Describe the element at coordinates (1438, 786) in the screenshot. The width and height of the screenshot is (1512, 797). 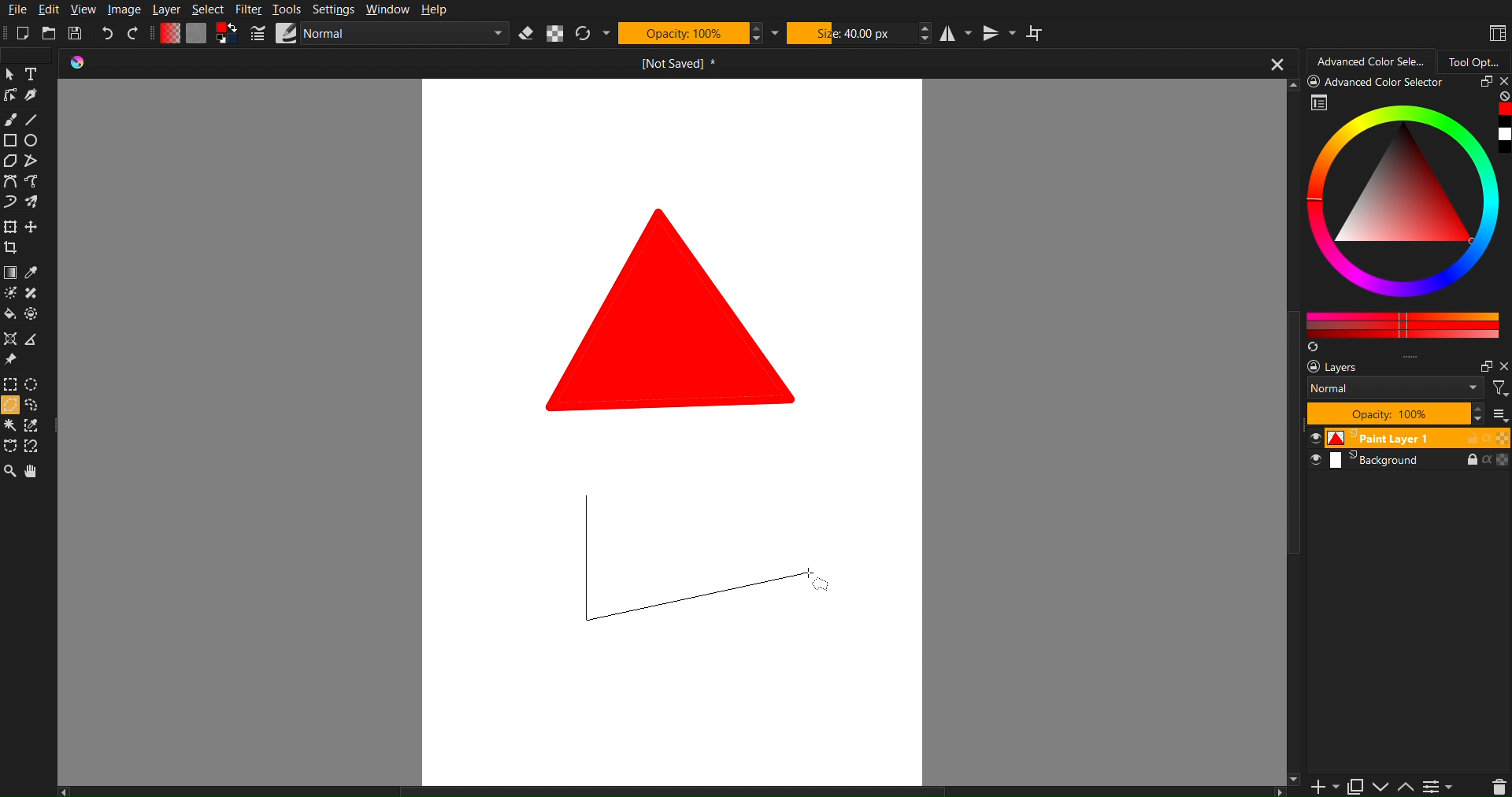
I see `Menu` at that location.